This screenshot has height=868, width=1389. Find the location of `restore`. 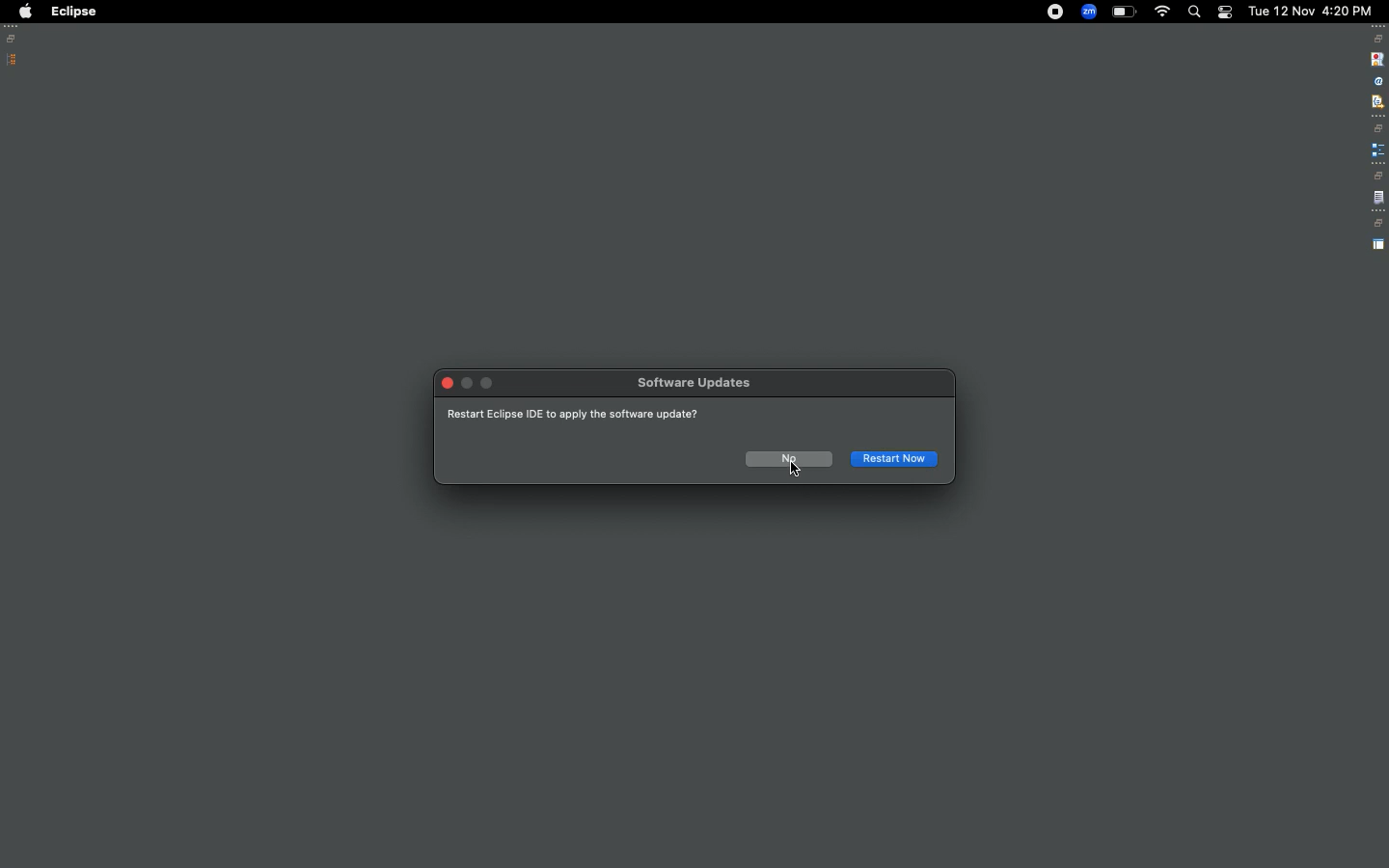

restore is located at coordinates (1377, 224).